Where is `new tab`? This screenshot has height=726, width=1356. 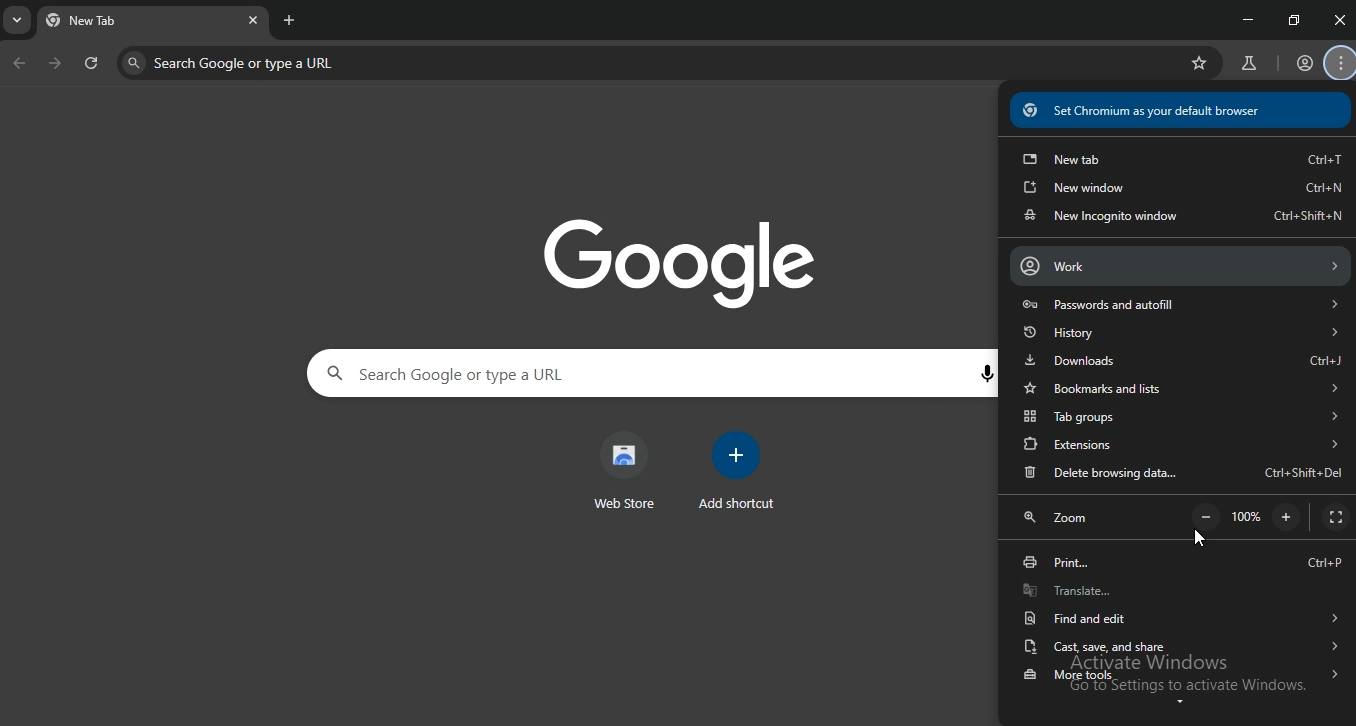 new tab is located at coordinates (1180, 155).